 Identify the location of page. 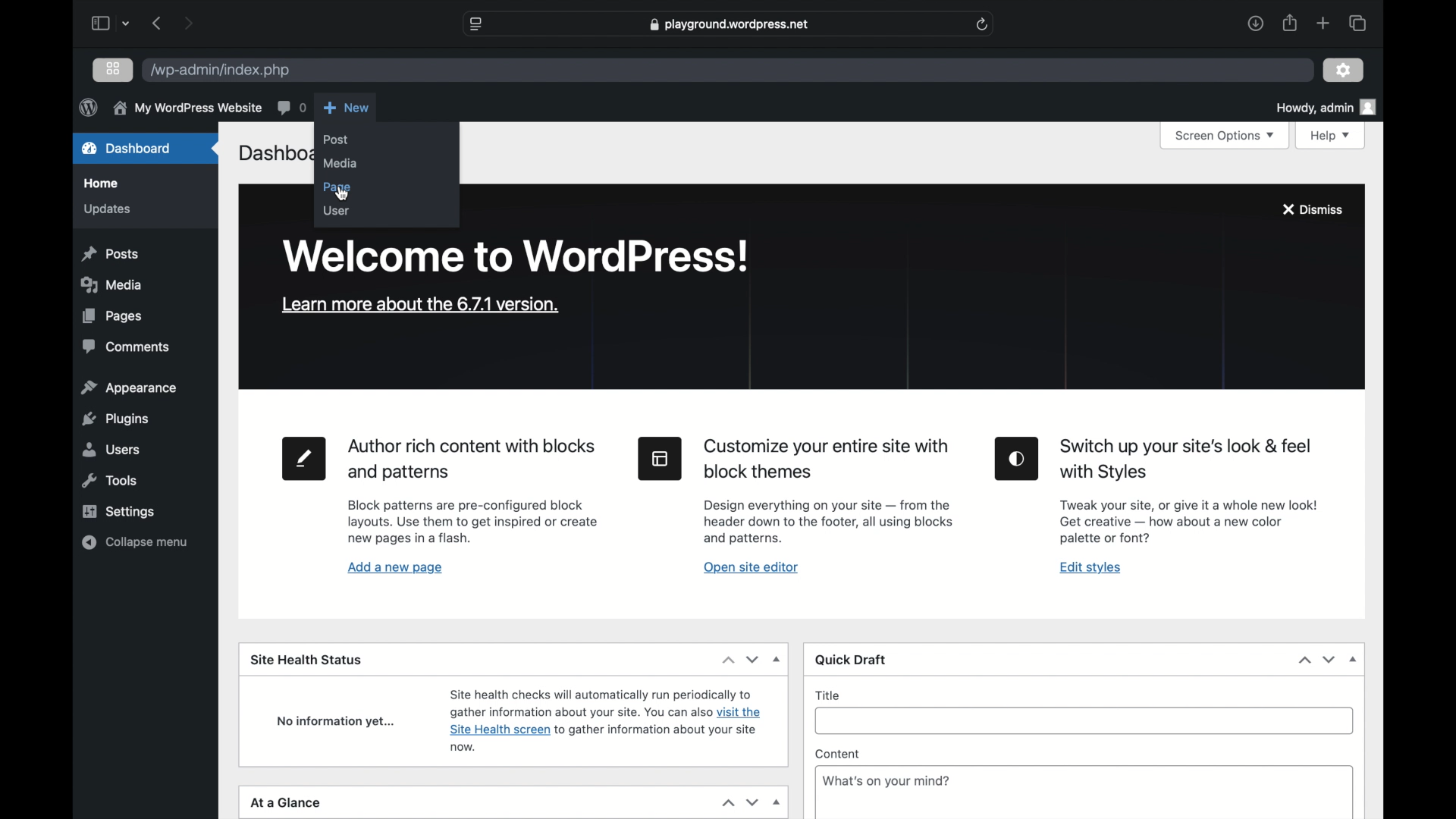
(340, 188).